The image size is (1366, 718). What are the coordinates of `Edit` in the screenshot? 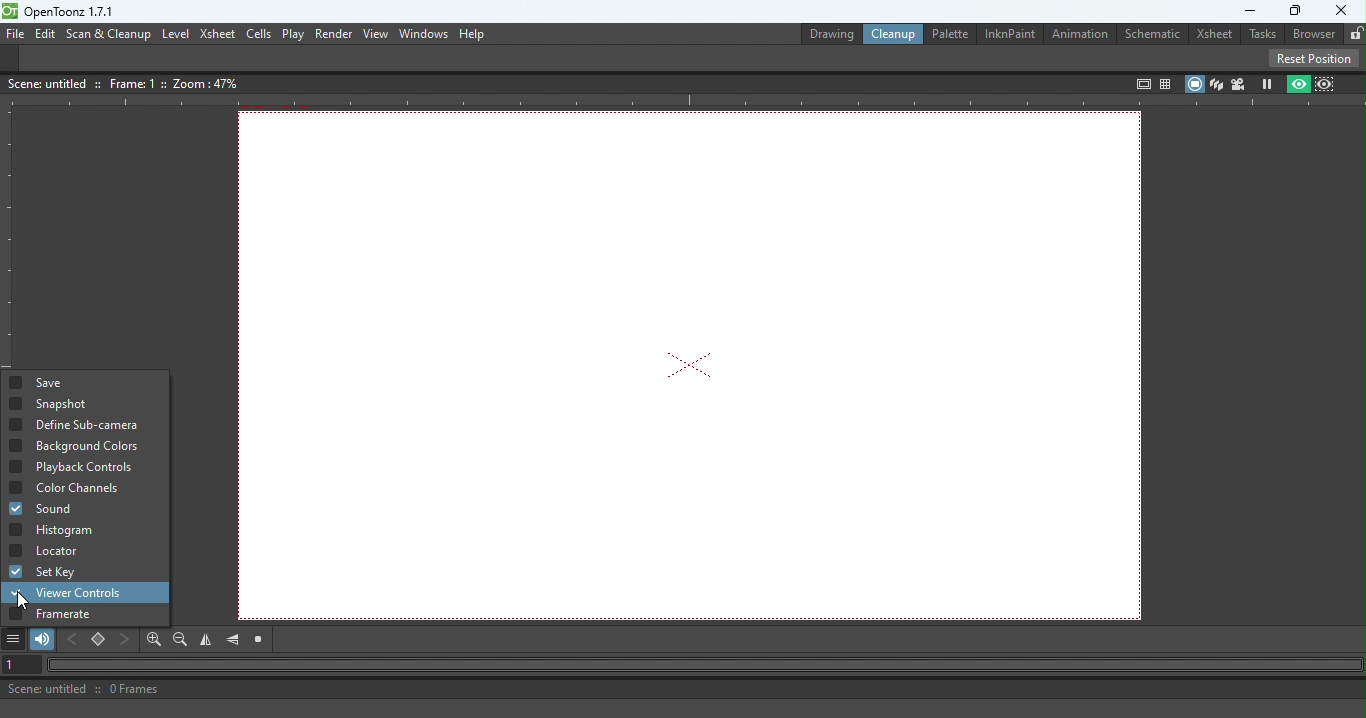 It's located at (44, 33).